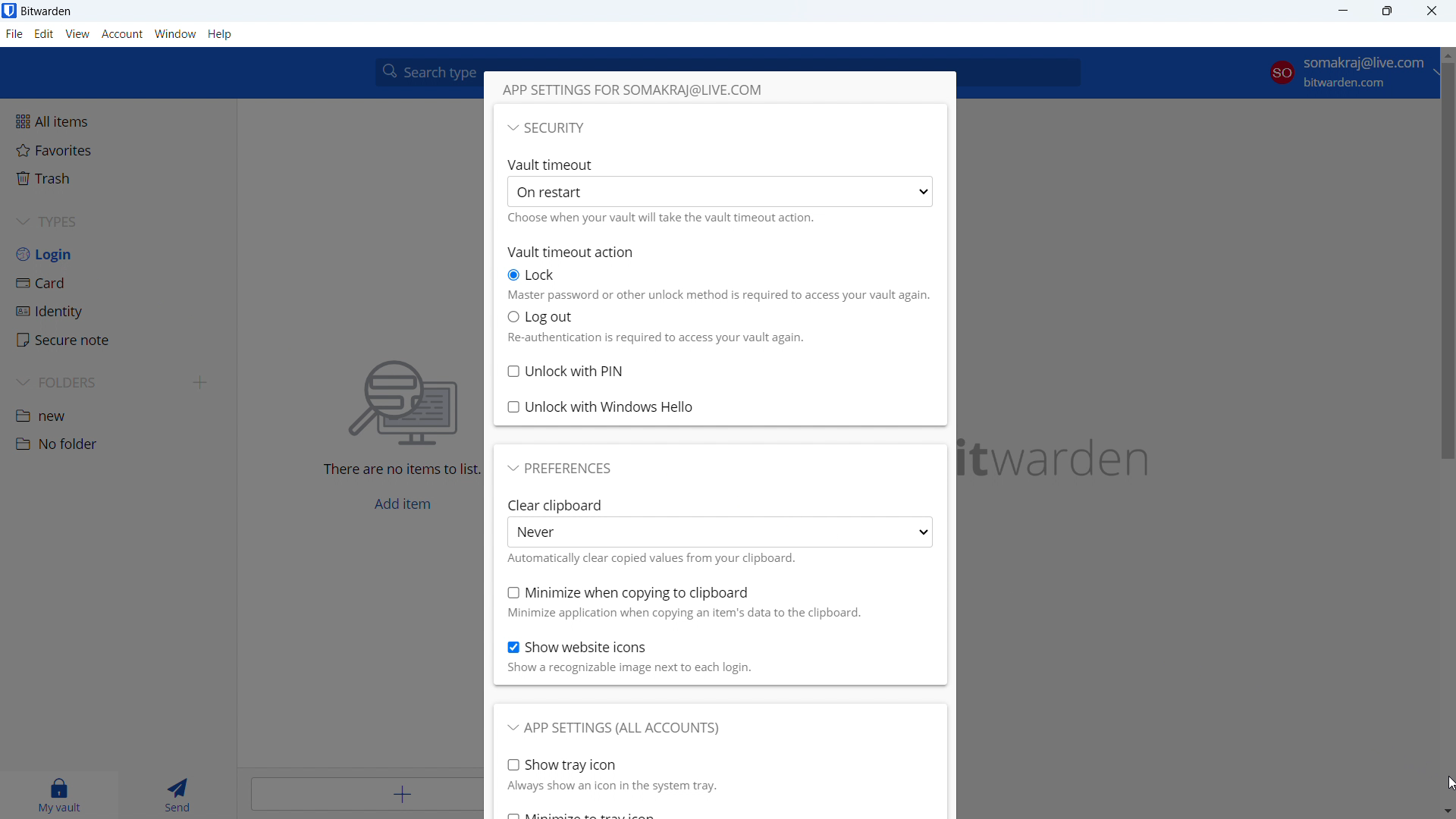 The height and width of the screenshot is (819, 1456). Describe the element at coordinates (176, 34) in the screenshot. I see `window` at that location.